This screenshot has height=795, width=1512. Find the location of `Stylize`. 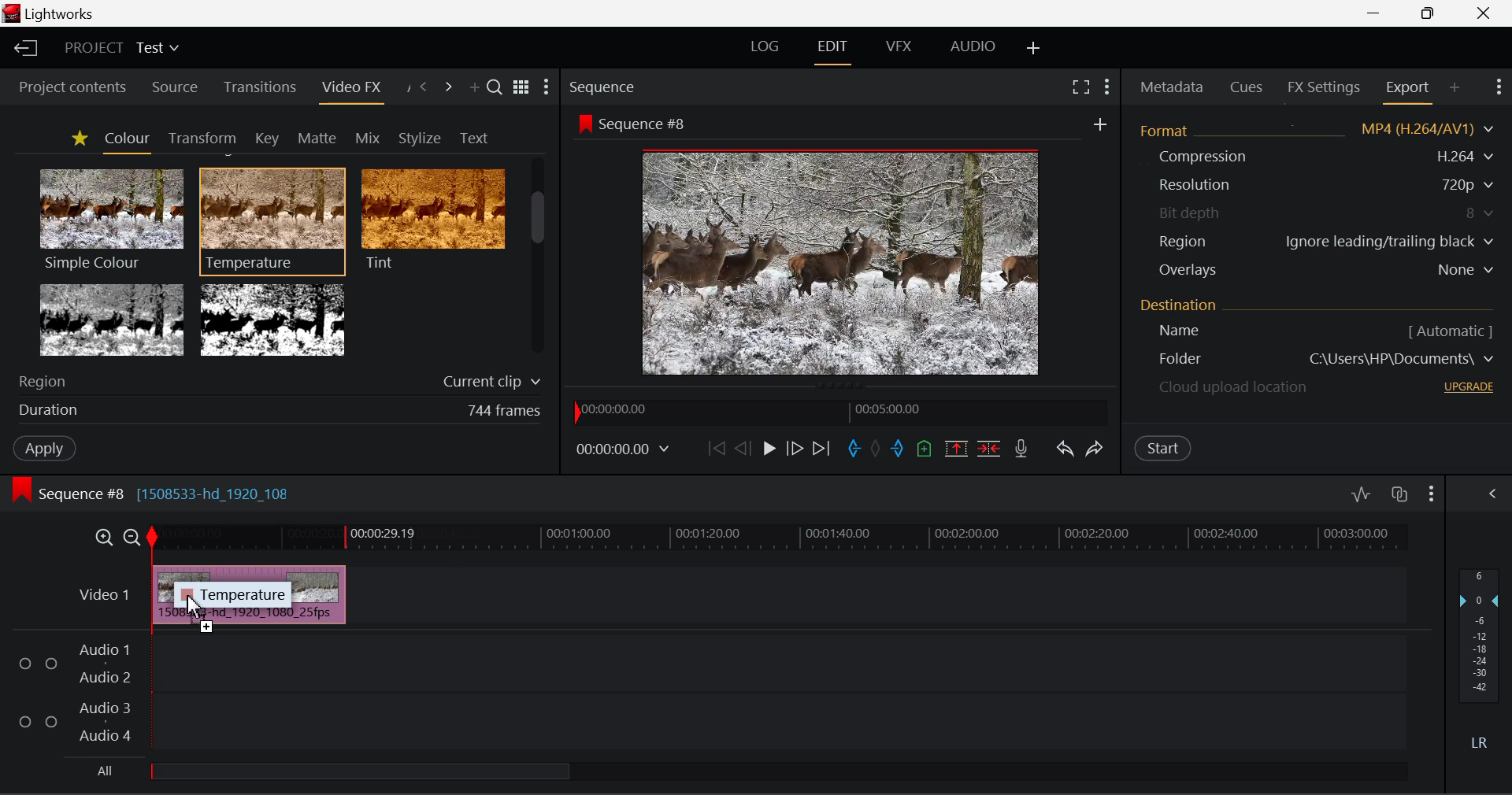

Stylize is located at coordinates (420, 136).